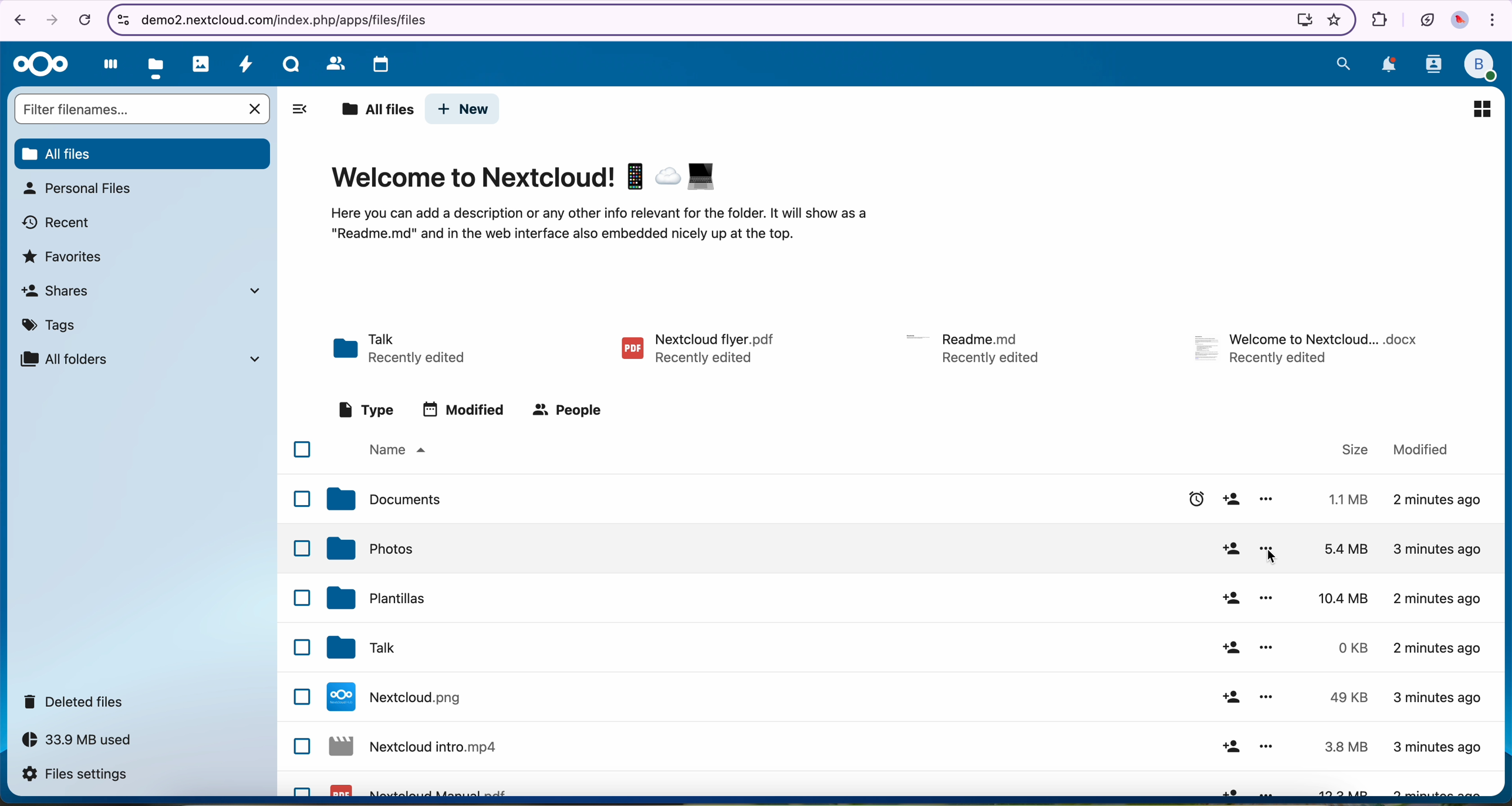 The width and height of the screenshot is (1512, 806). What do you see at coordinates (374, 61) in the screenshot?
I see `calendar` at bounding box center [374, 61].